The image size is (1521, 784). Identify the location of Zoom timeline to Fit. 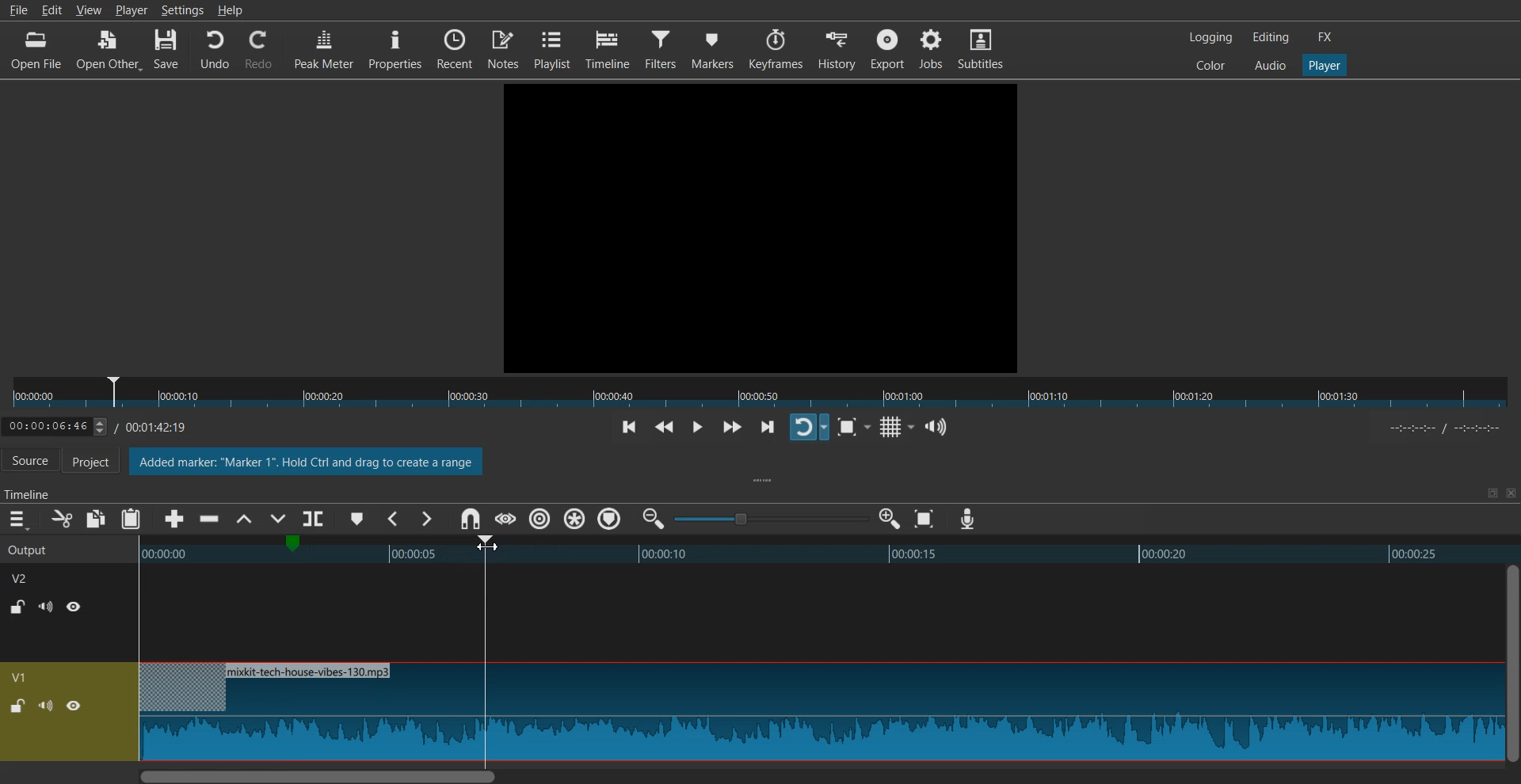
(924, 519).